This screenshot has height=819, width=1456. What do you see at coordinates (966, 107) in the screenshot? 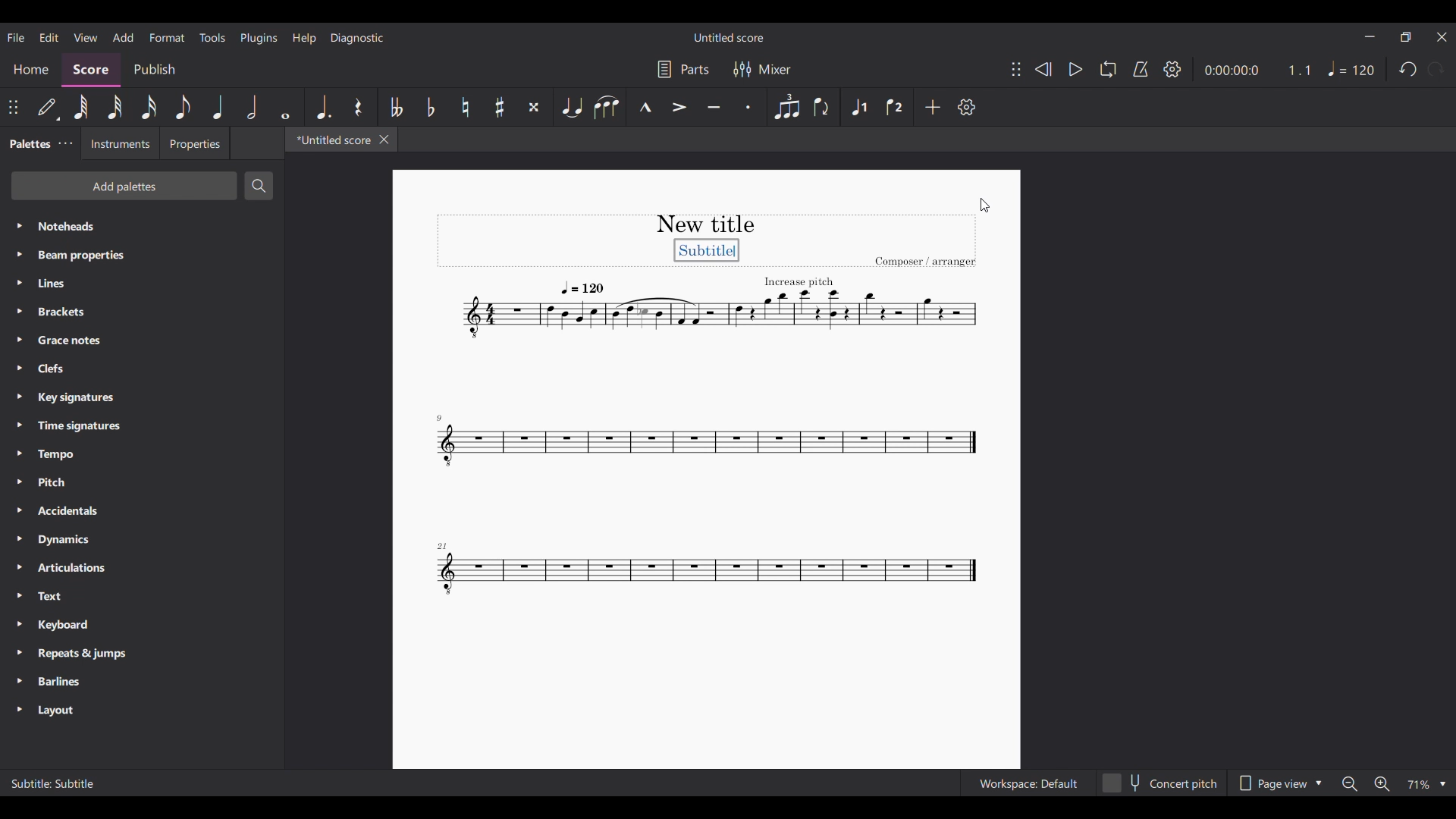
I see `Settings` at bounding box center [966, 107].